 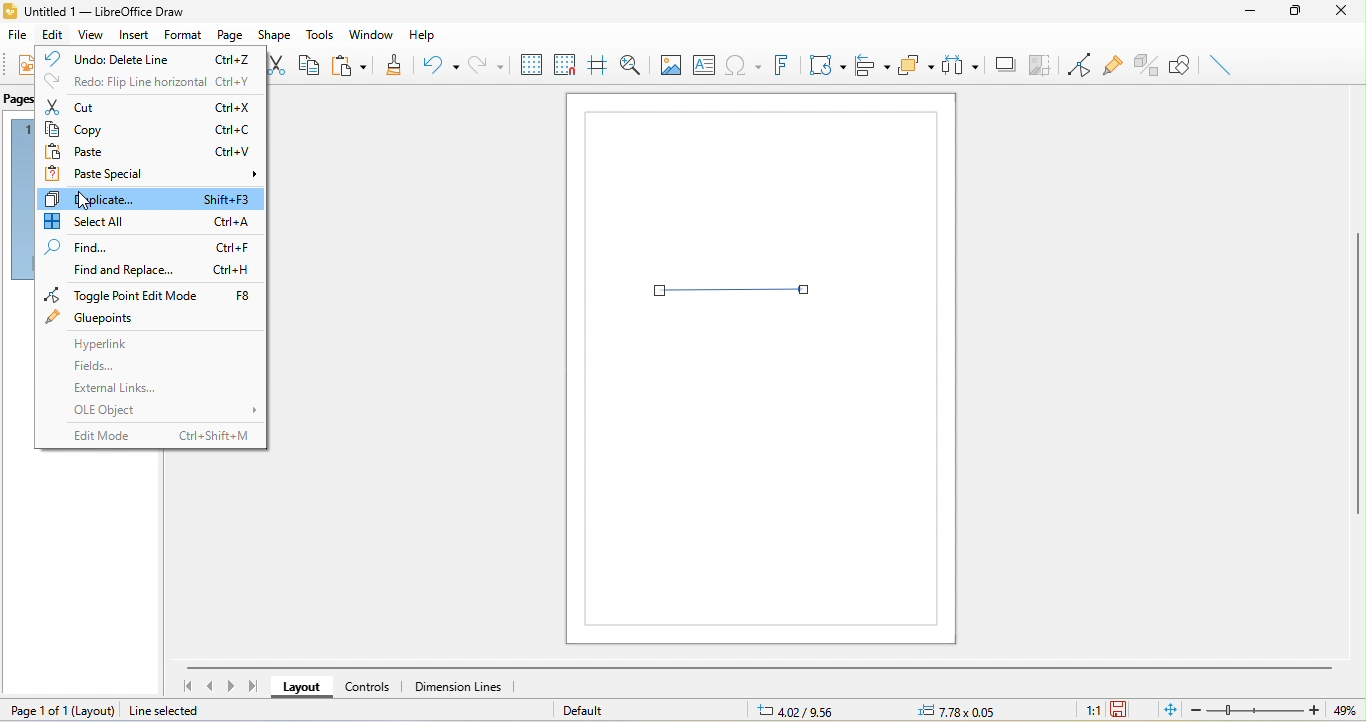 What do you see at coordinates (1345, 13) in the screenshot?
I see `close` at bounding box center [1345, 13].